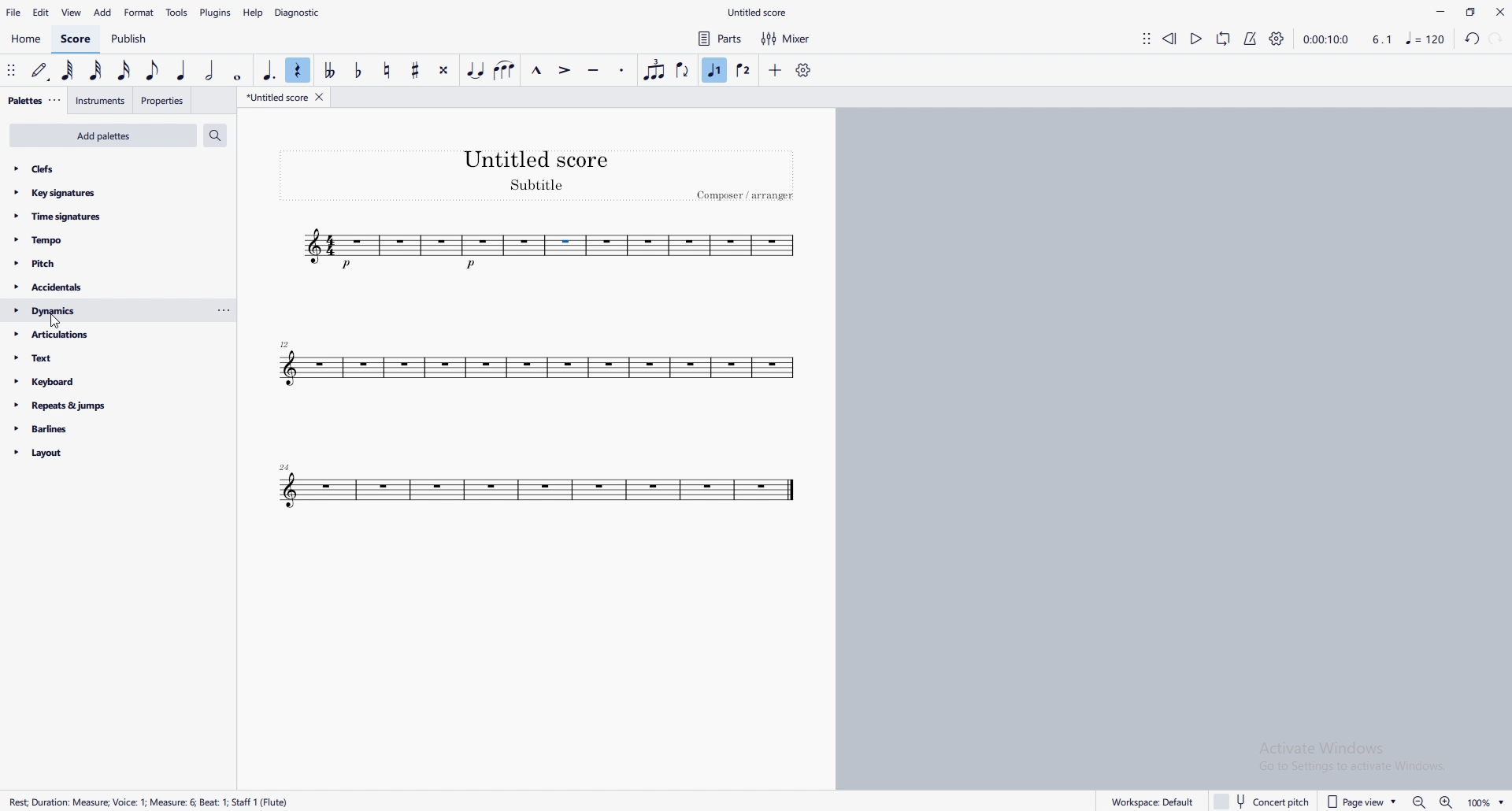  Describe the element at coordinates (212, 69) in the screenshot. I see `half note` at that location.